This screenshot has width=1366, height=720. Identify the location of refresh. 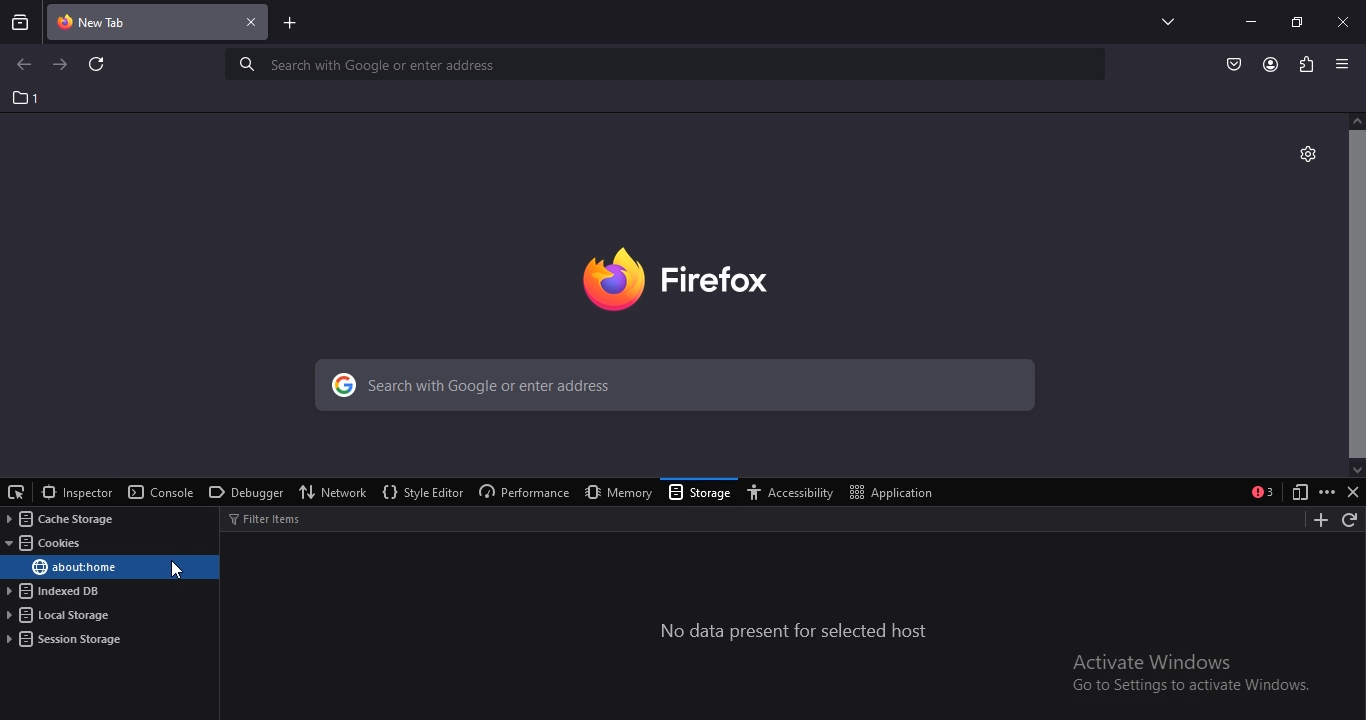
(98, 66).